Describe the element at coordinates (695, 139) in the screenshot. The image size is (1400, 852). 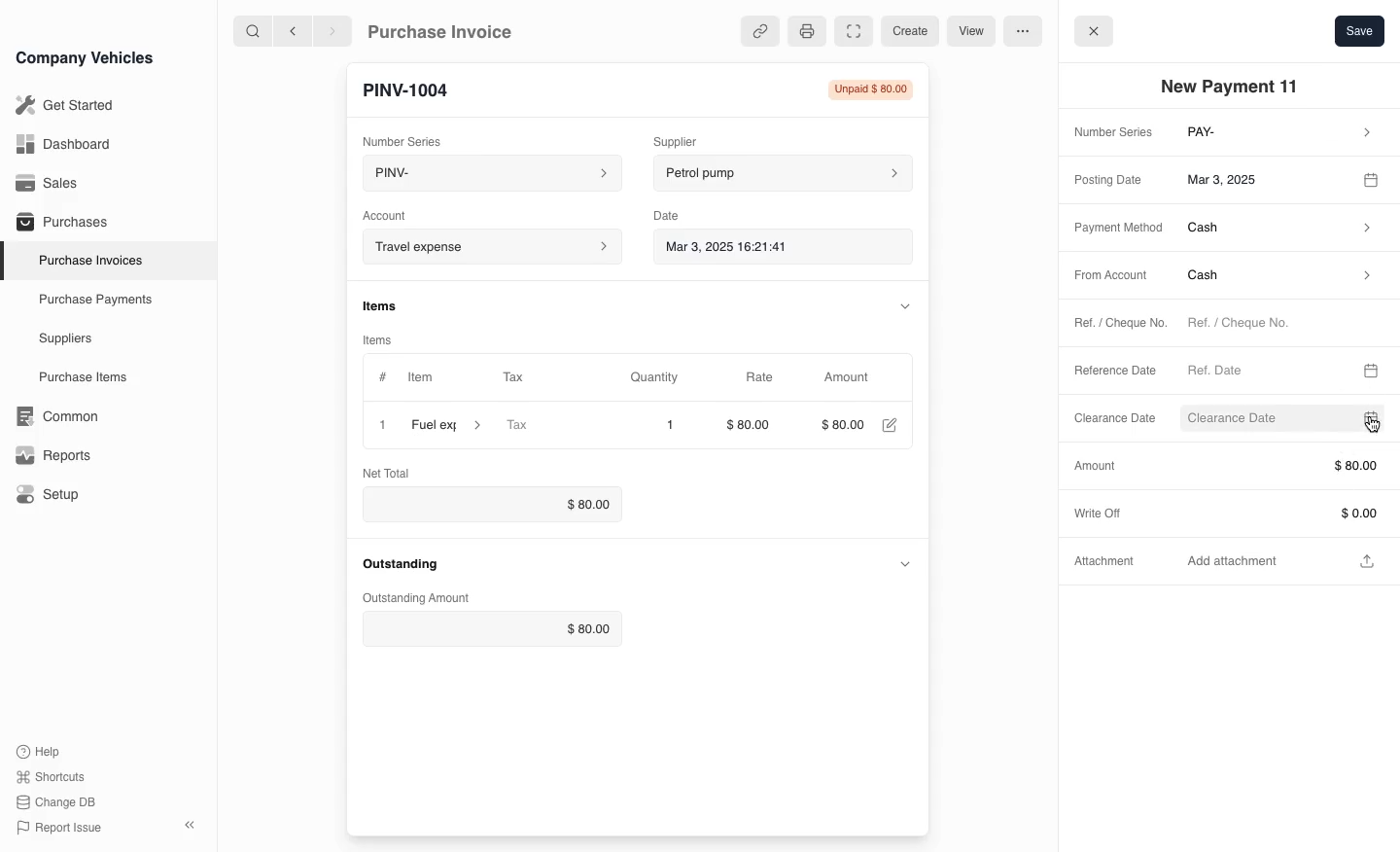
I see `Supplier` at that location.